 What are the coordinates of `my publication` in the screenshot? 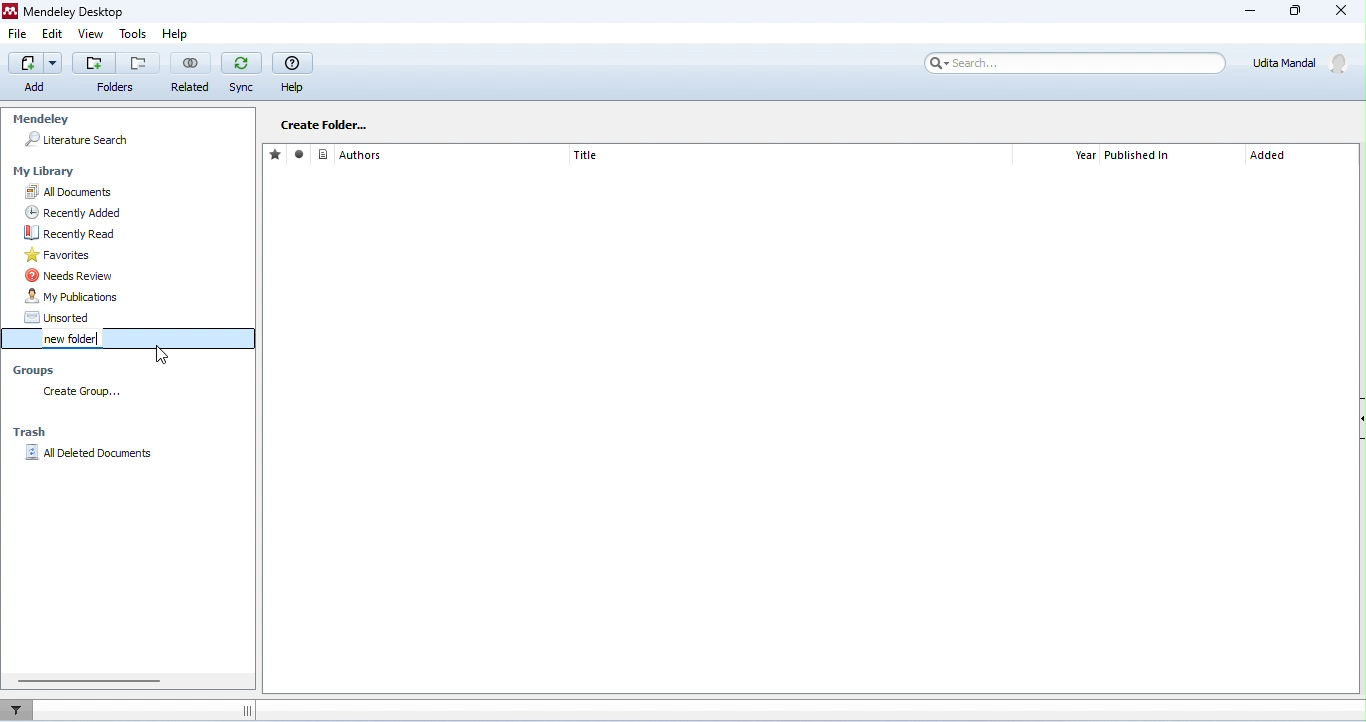 It's located at (137, 297).